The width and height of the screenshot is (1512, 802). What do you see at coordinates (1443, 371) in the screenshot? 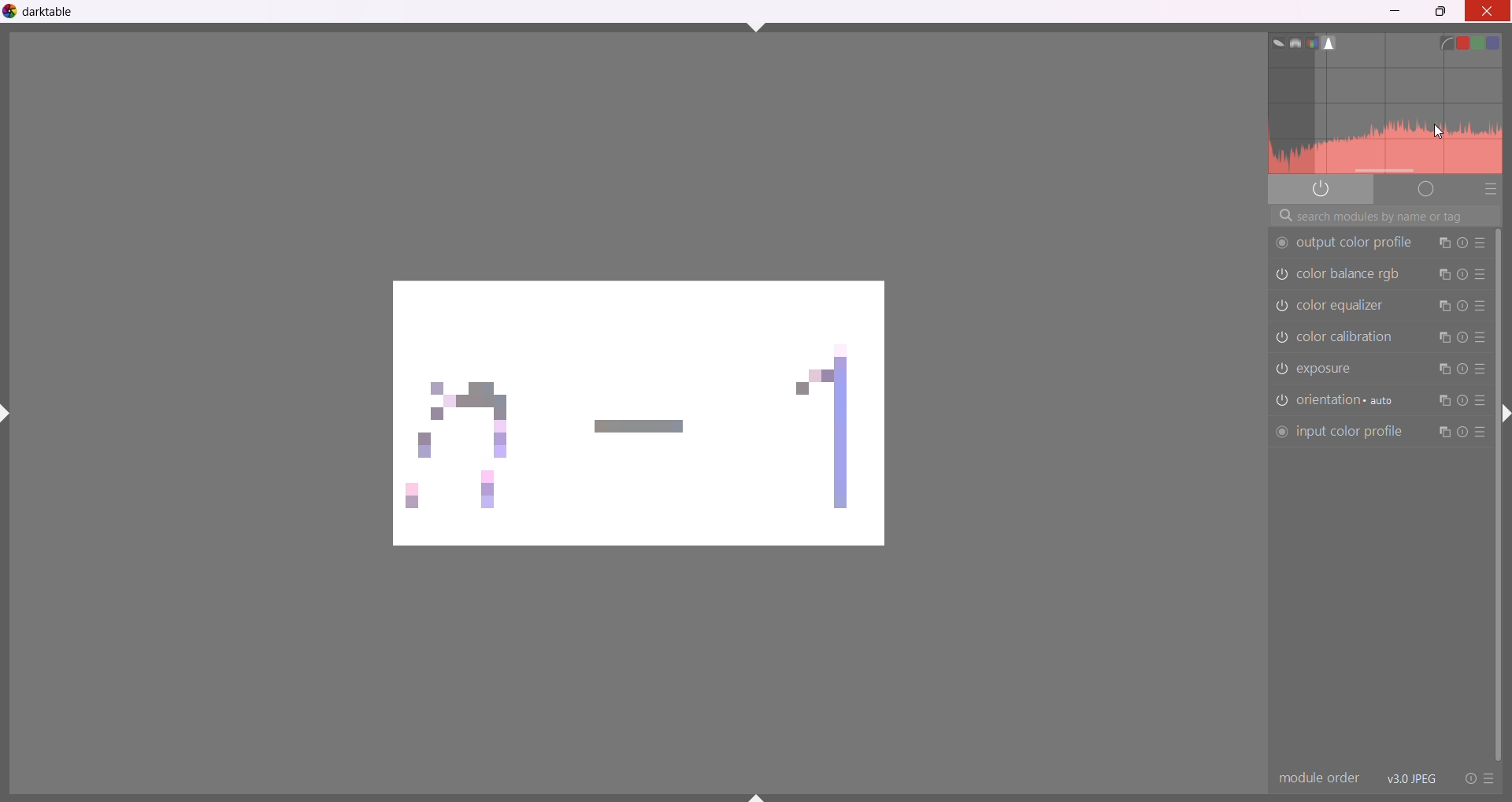
I see `instance` at bounding box center [1443, 371].